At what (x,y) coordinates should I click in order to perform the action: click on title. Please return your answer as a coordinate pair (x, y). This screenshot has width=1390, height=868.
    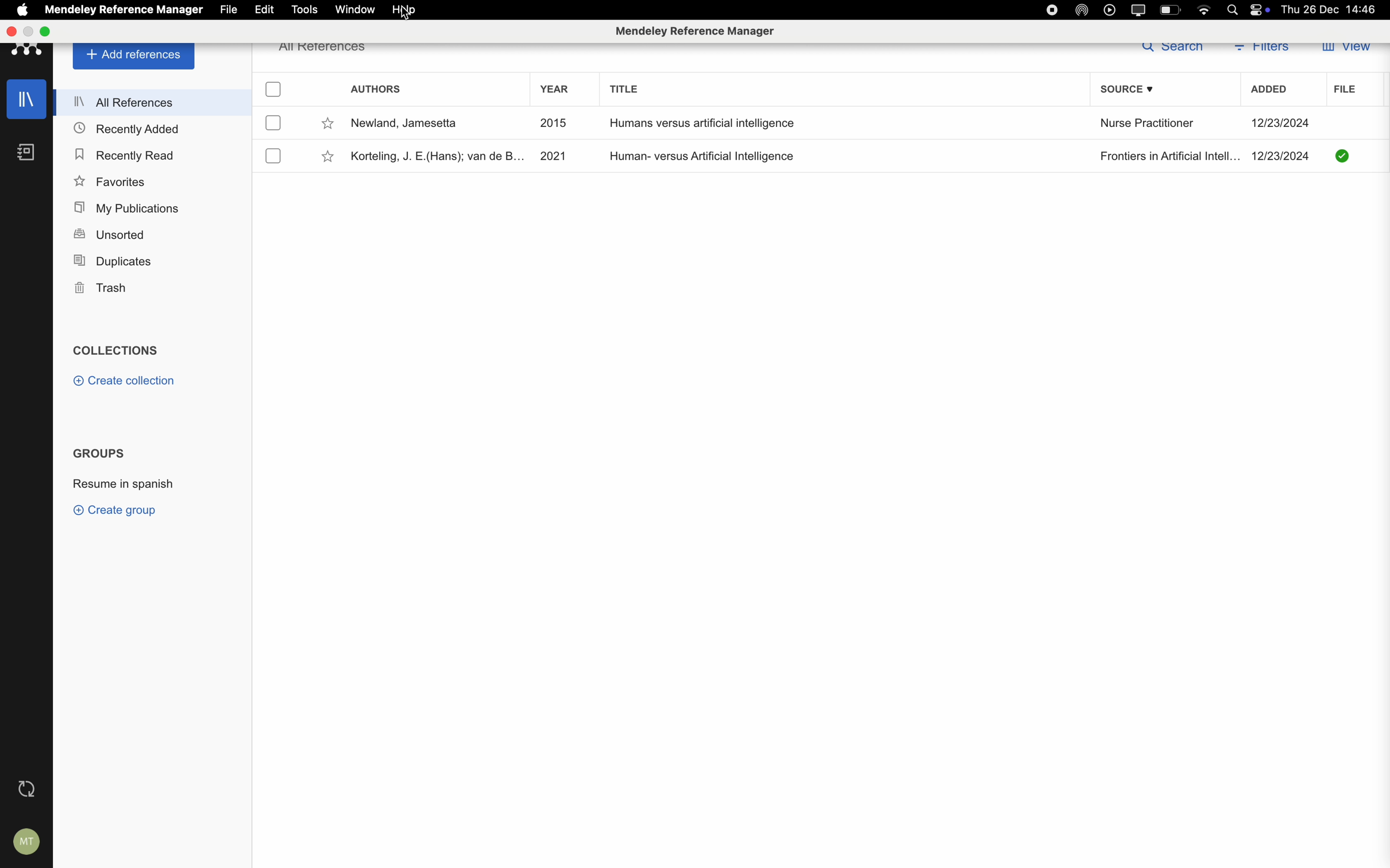
    Looking at the image, I should click on (624, 90).